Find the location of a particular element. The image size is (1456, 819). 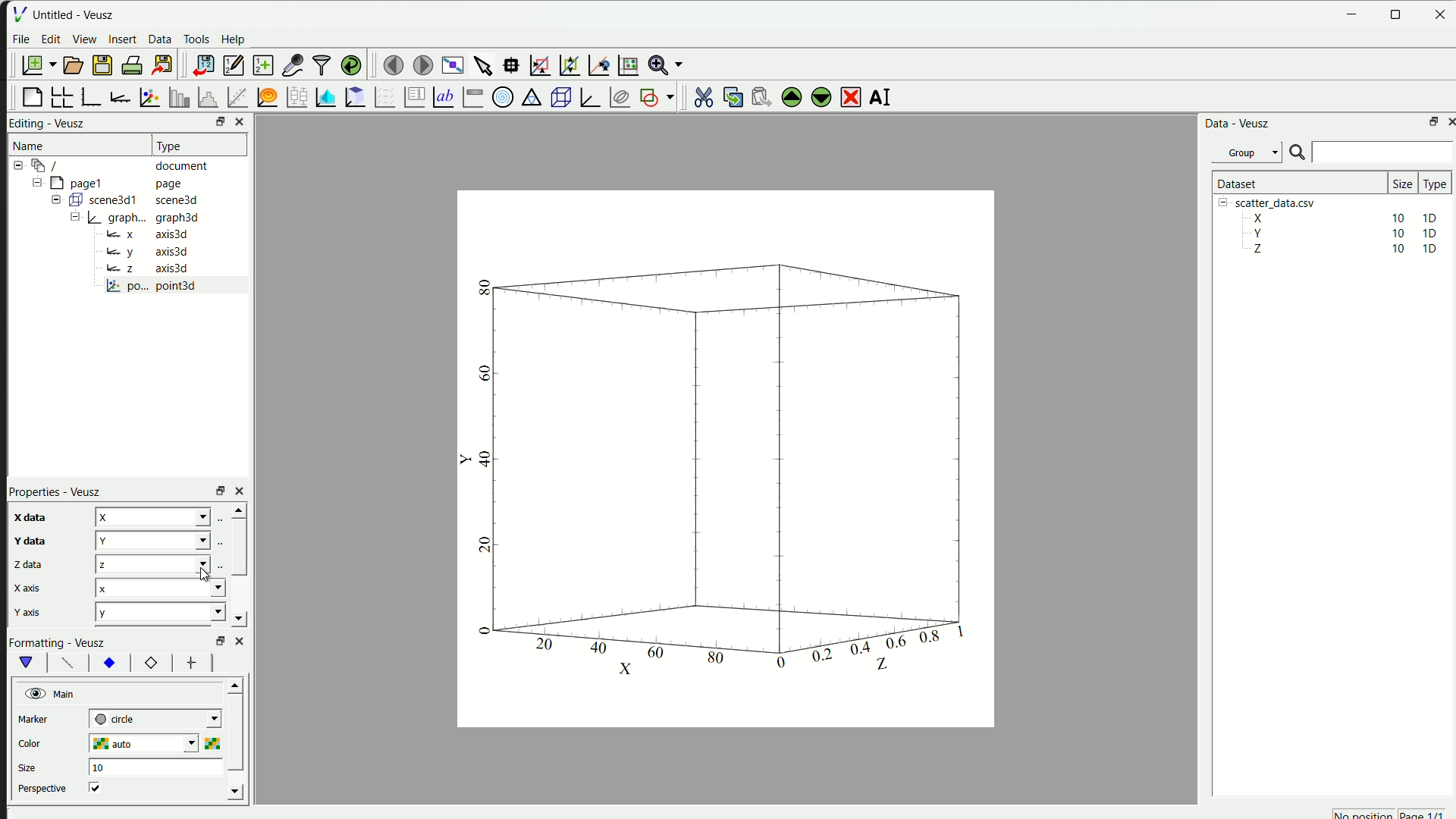

marker is located at coordinates (39, 719).